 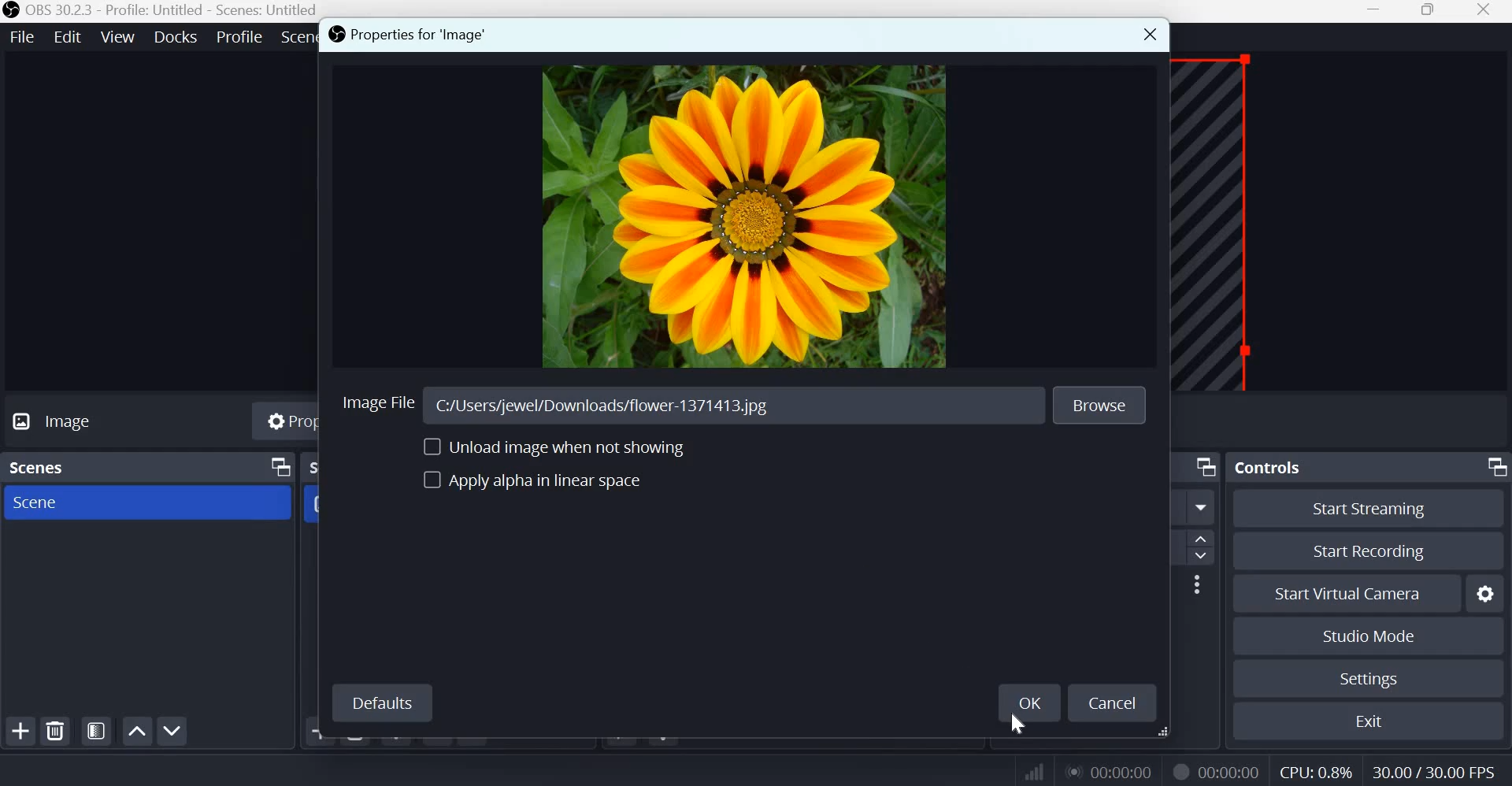 What do you see at coordinates (1376, 11) in the screenshot?
I see `Minimize` at bounding box center [1376, 11].